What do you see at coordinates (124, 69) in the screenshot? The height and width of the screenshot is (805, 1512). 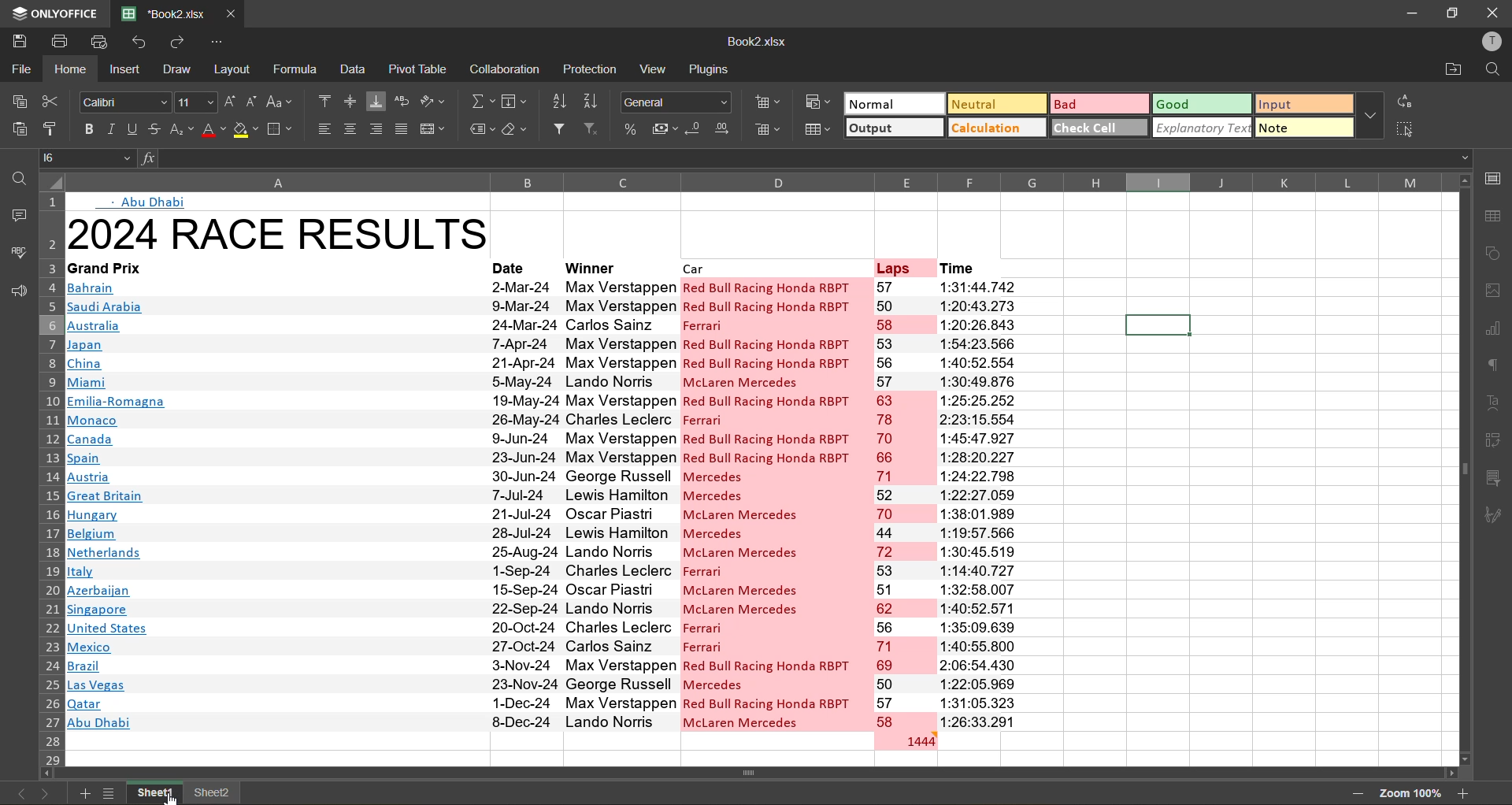 I see `insert` at bounding box center [124, 69].